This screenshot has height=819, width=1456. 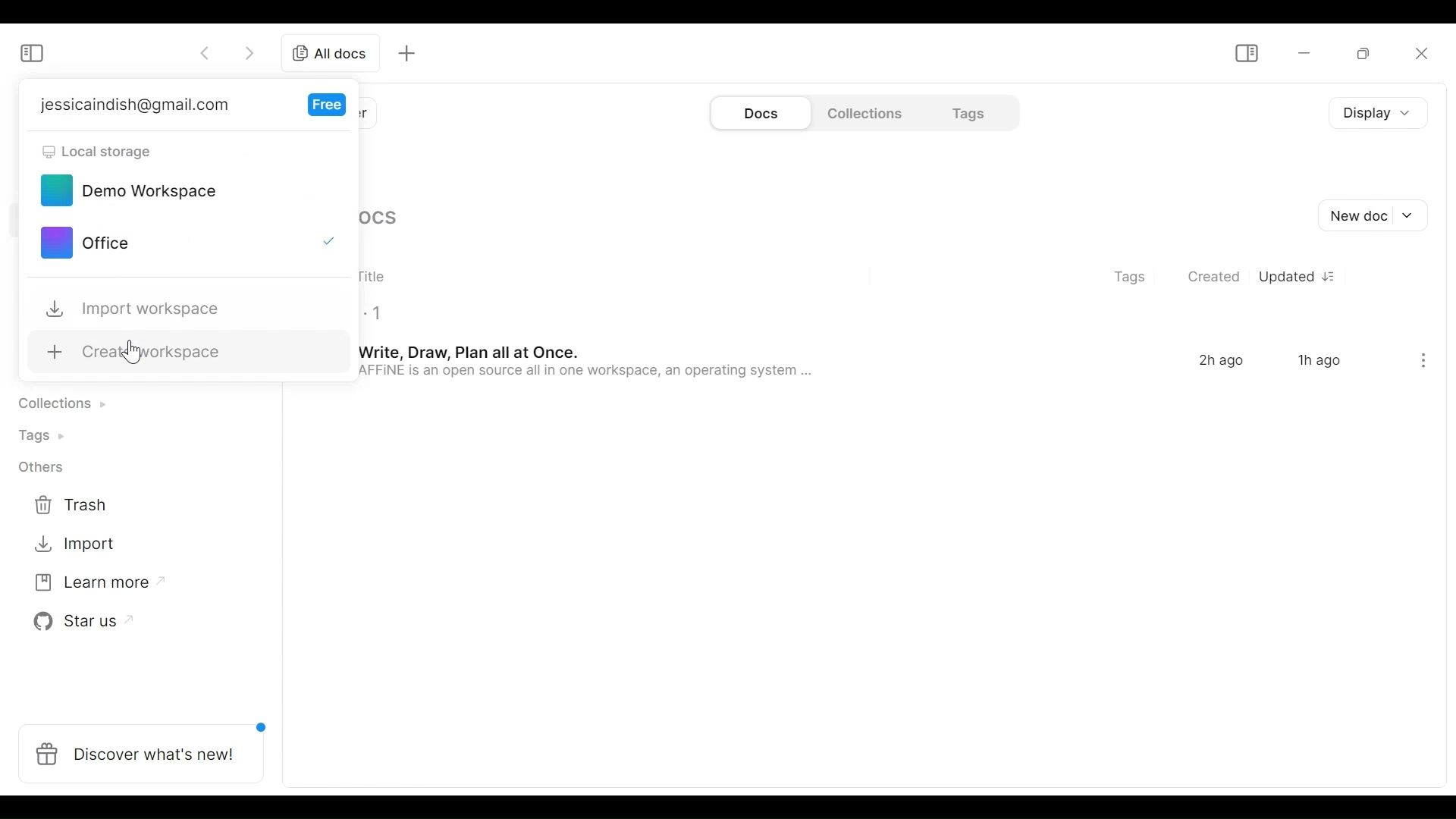 What do you see at coordinates (841, 360) in the screenshot?
I see `Write, Draw, Plan all at Once. 2h ago 1h ago
AFFINE is an open source all in one workspace, an operating system` at bounding box center [841, 360].